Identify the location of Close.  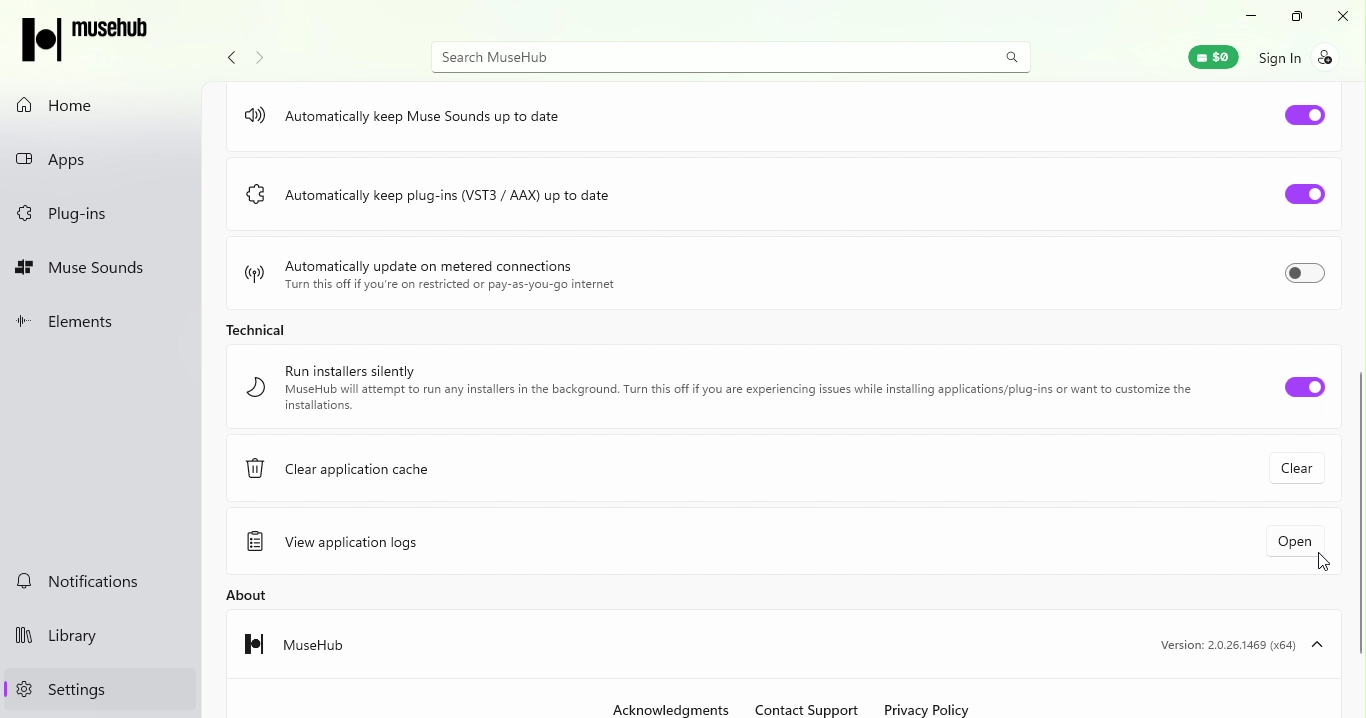
(1347, 15).